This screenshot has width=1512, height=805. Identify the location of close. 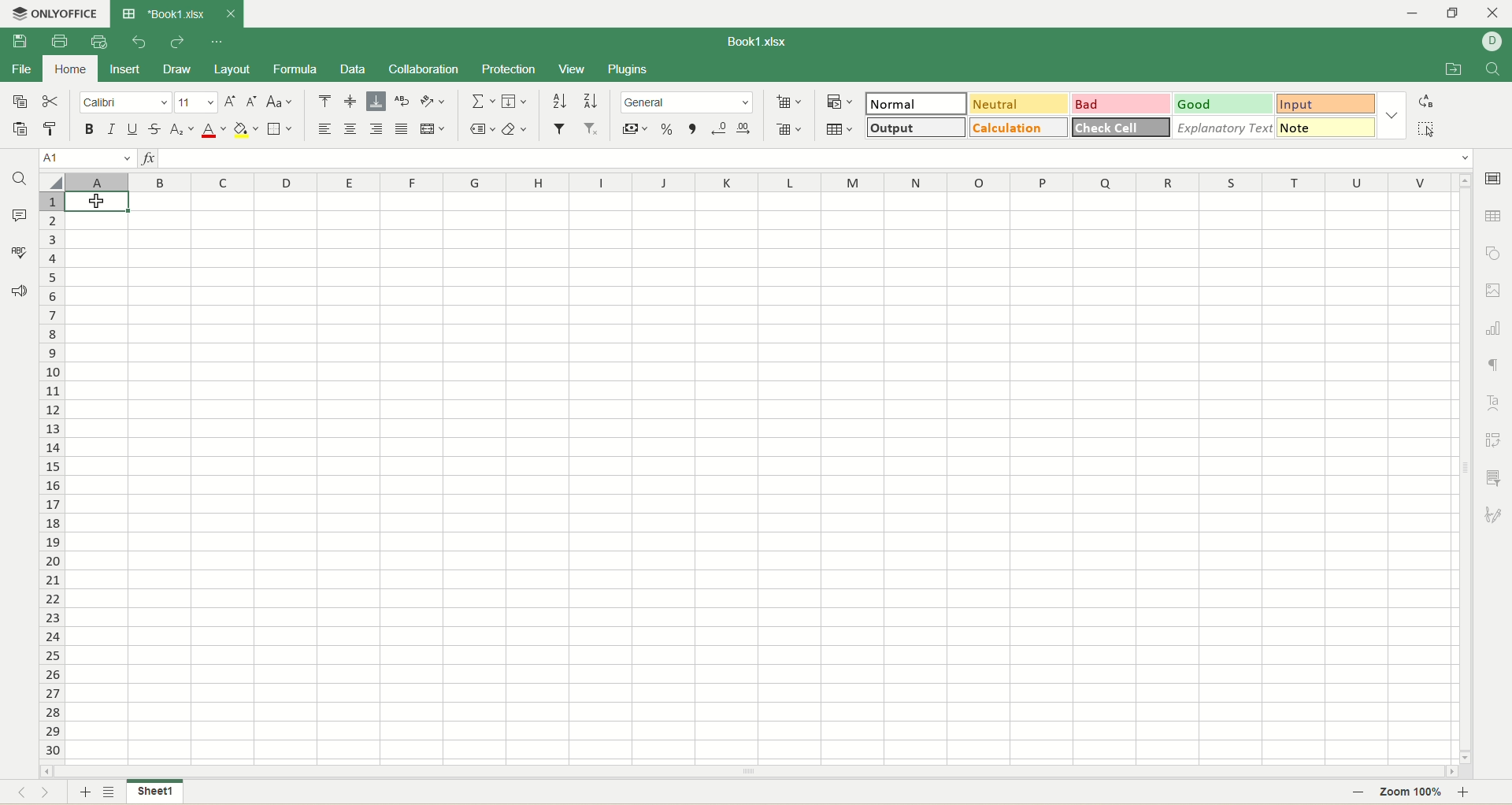
(1495, 12).